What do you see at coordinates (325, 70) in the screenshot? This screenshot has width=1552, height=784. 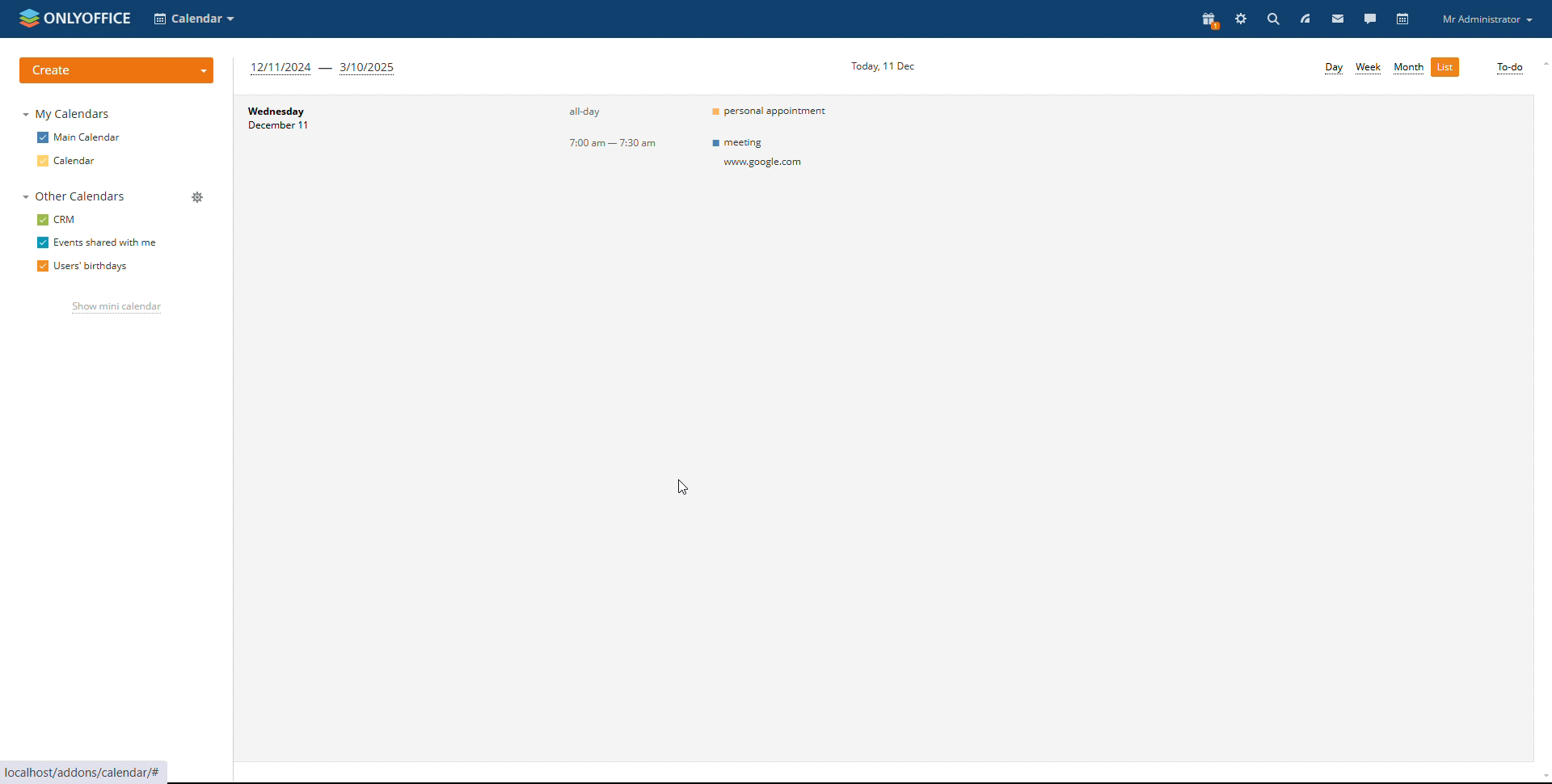 I see `next three months` at bounding box center [325, 70].